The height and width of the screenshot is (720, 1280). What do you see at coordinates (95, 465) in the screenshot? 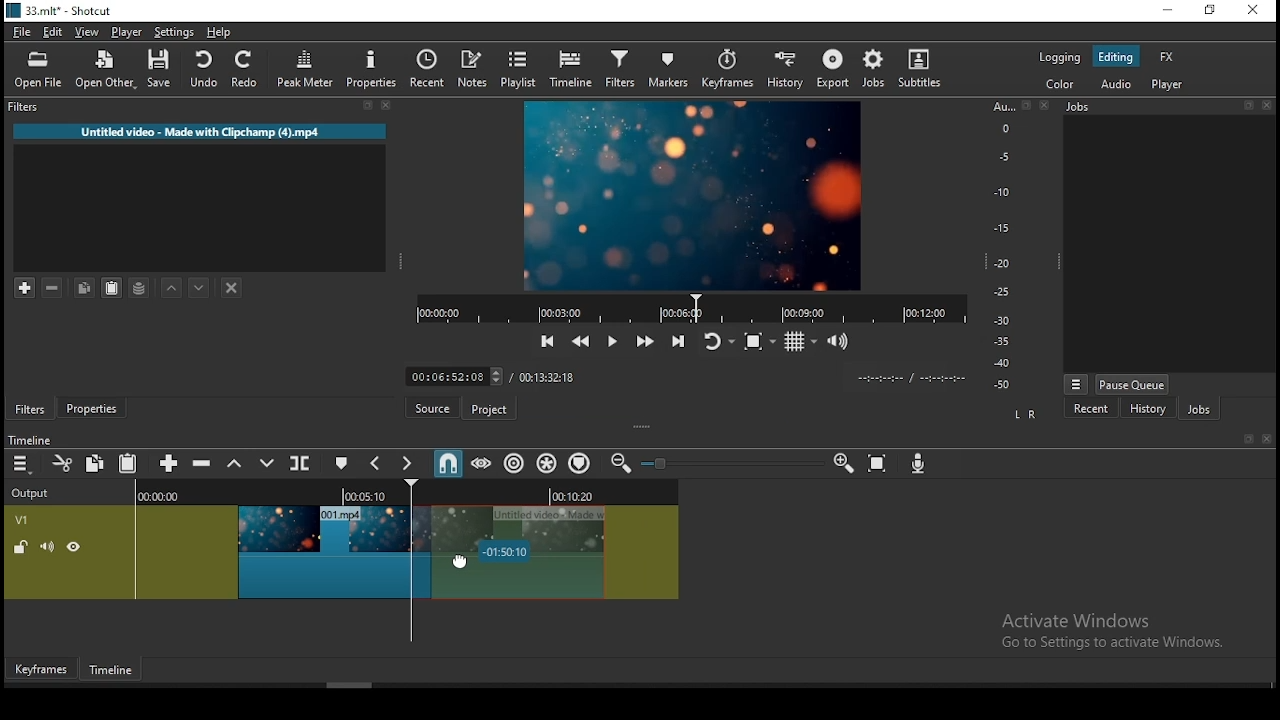
I see `copy` at bounding box center [95, 465].